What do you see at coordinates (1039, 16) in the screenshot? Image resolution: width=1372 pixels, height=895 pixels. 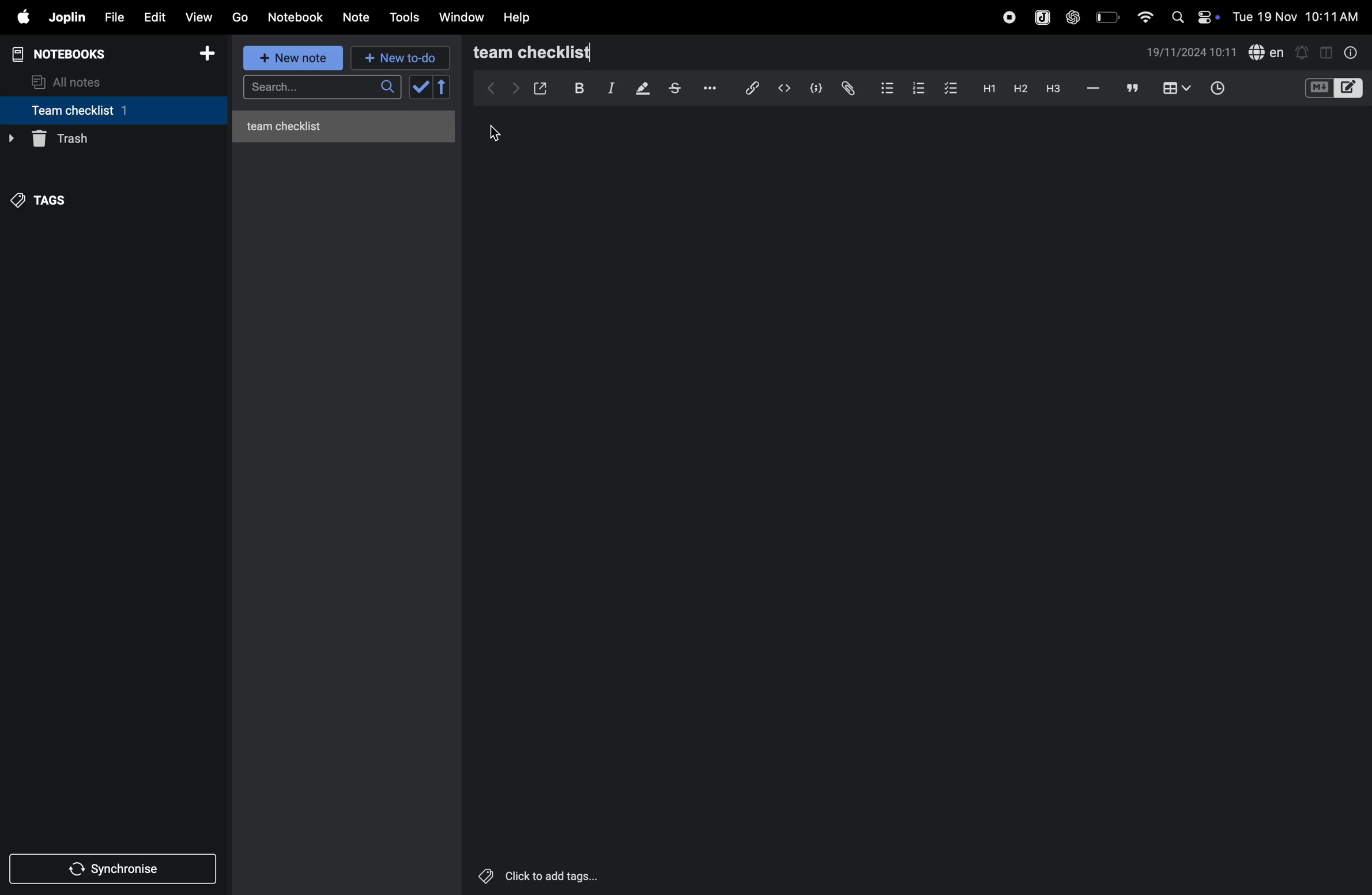 I see `joplin` at bounding box center [1039, 16].